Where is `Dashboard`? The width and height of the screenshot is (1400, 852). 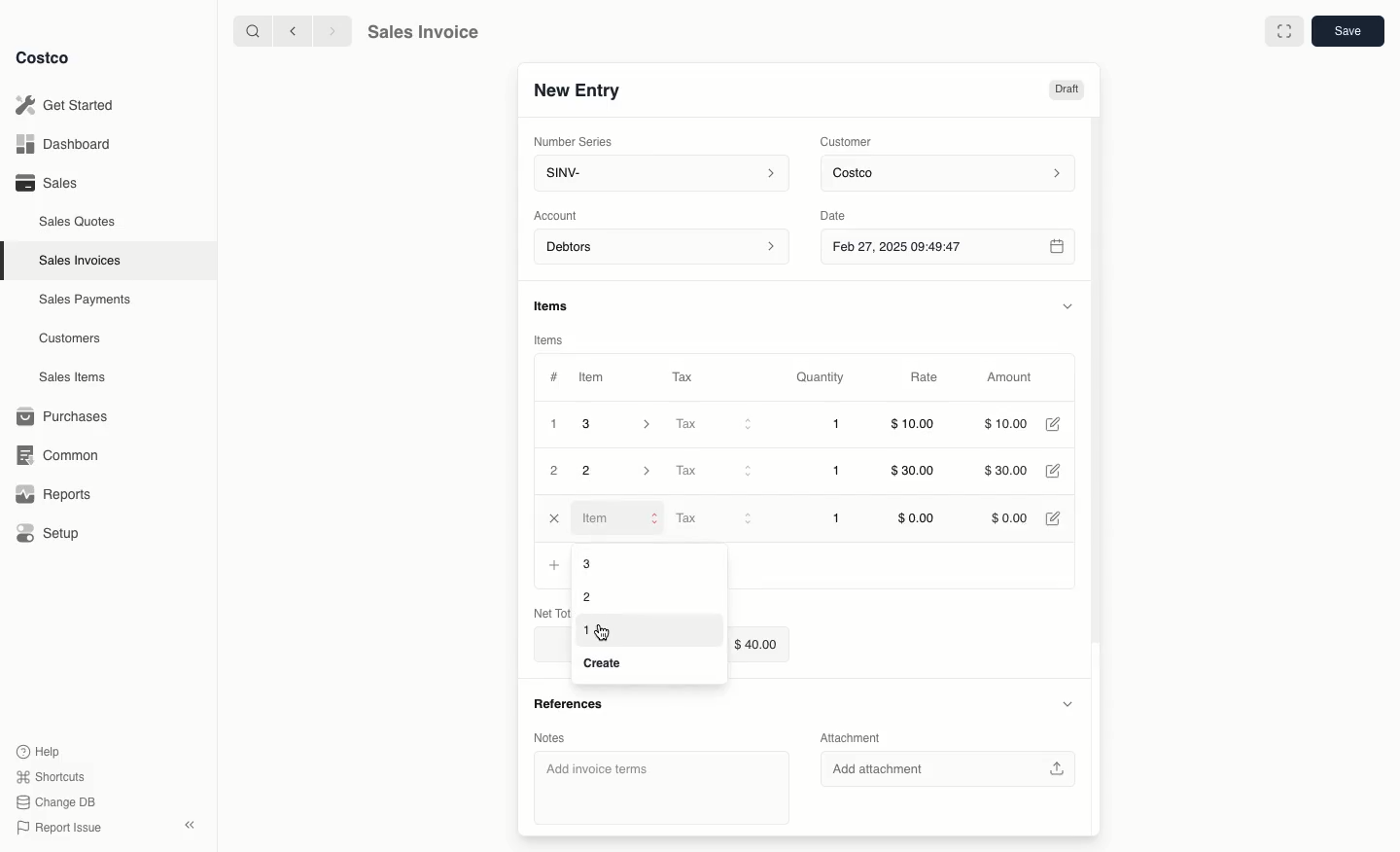
Dashboard is located at coordinates (68, 145).